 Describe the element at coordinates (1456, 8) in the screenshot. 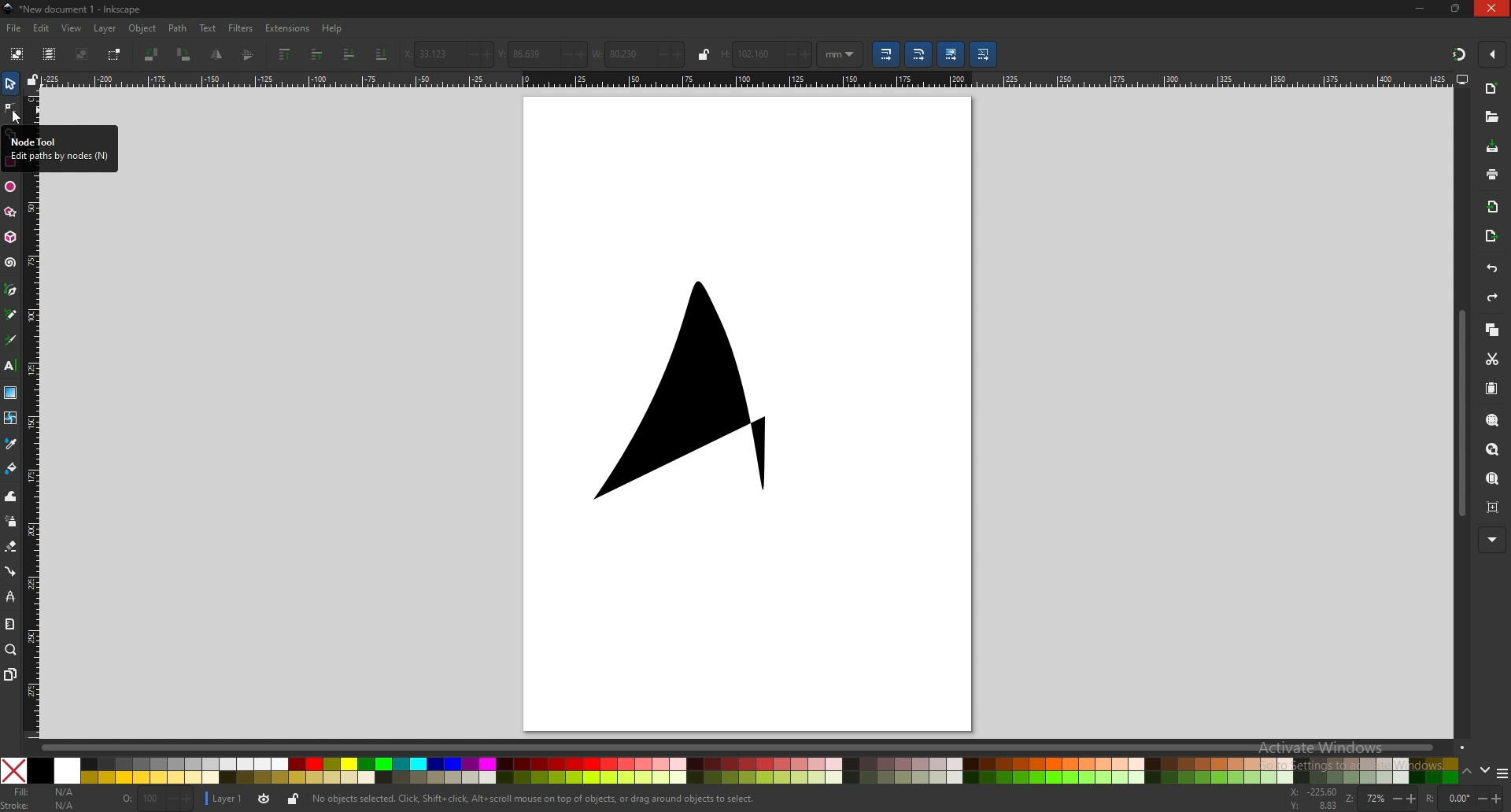

I see `resize` at that location.